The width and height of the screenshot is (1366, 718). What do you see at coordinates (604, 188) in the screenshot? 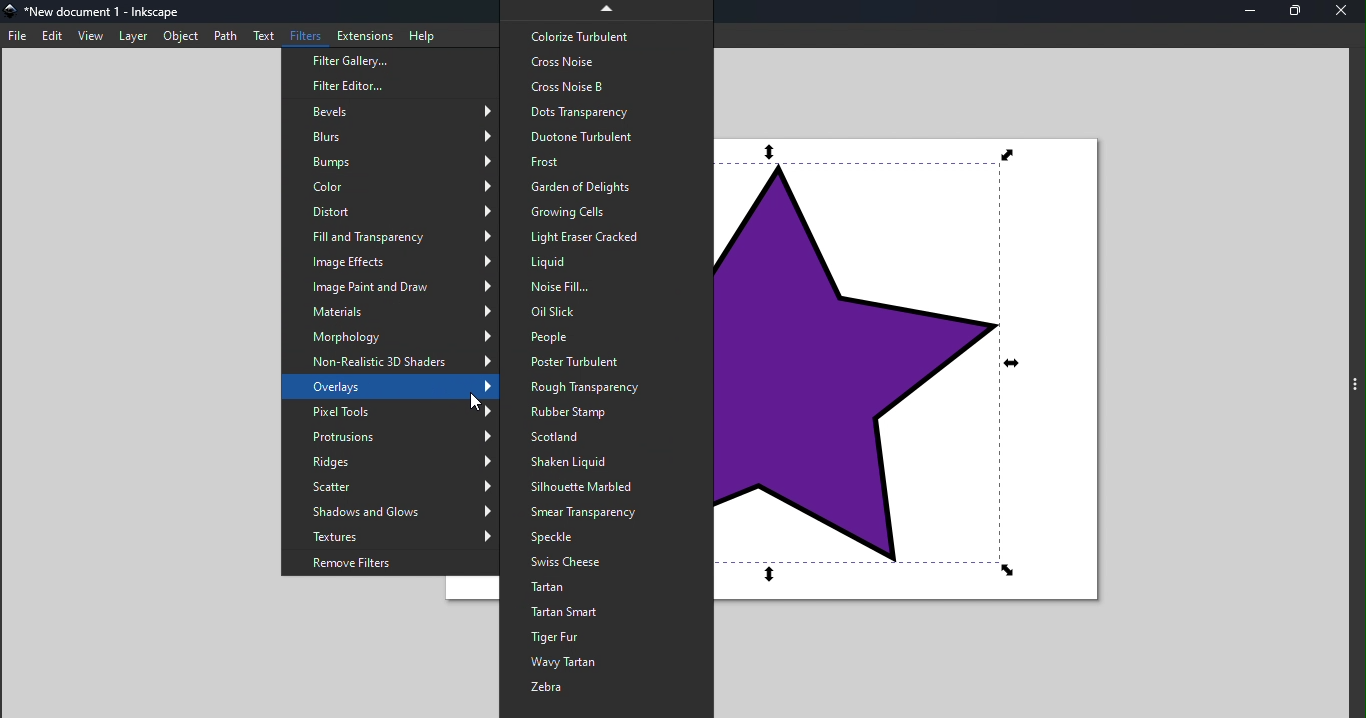
I see `Garden of delights` at bounding box center [604, 188].